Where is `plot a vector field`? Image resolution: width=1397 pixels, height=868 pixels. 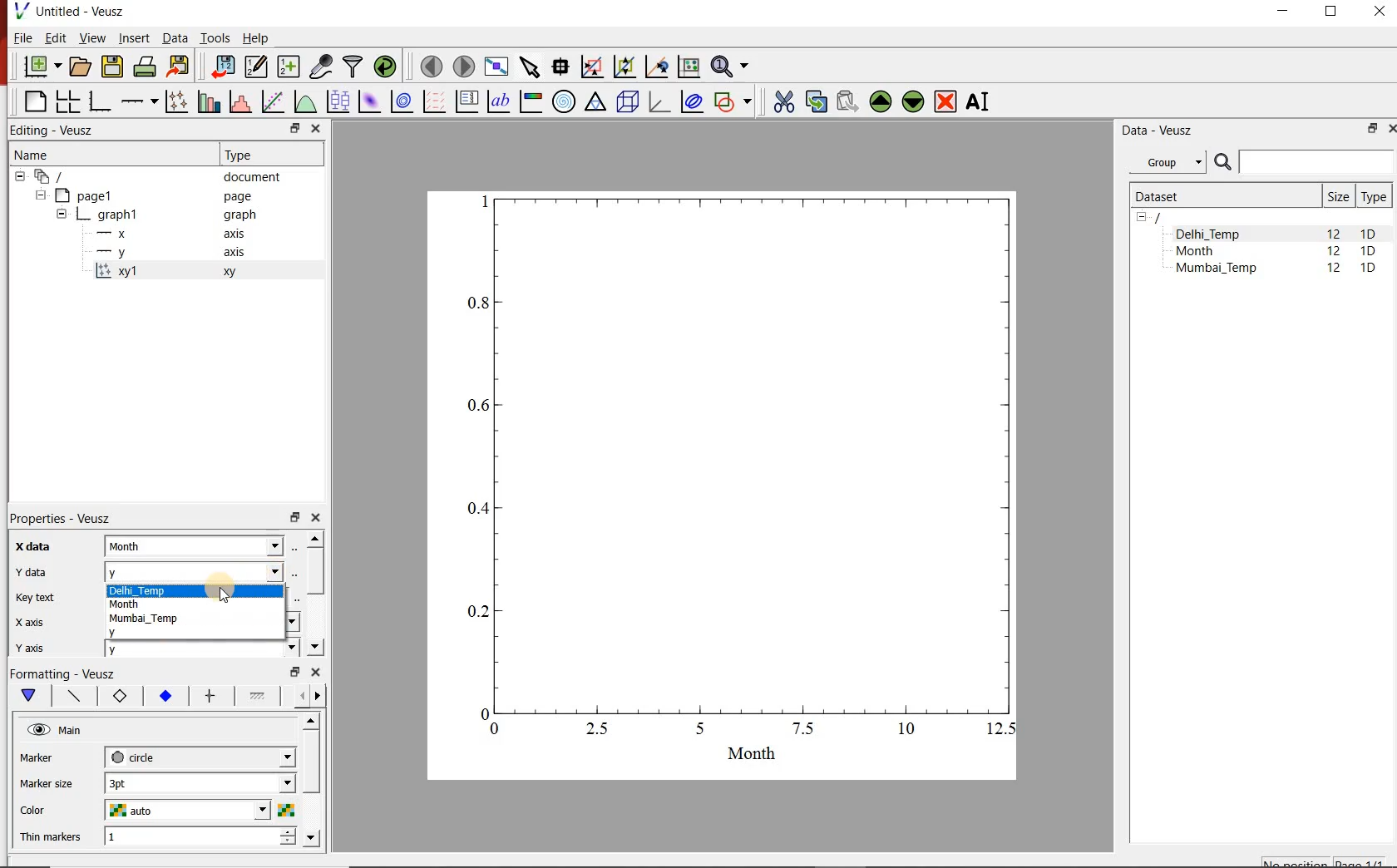
plot a vector field is located at coordinates (433, 102).